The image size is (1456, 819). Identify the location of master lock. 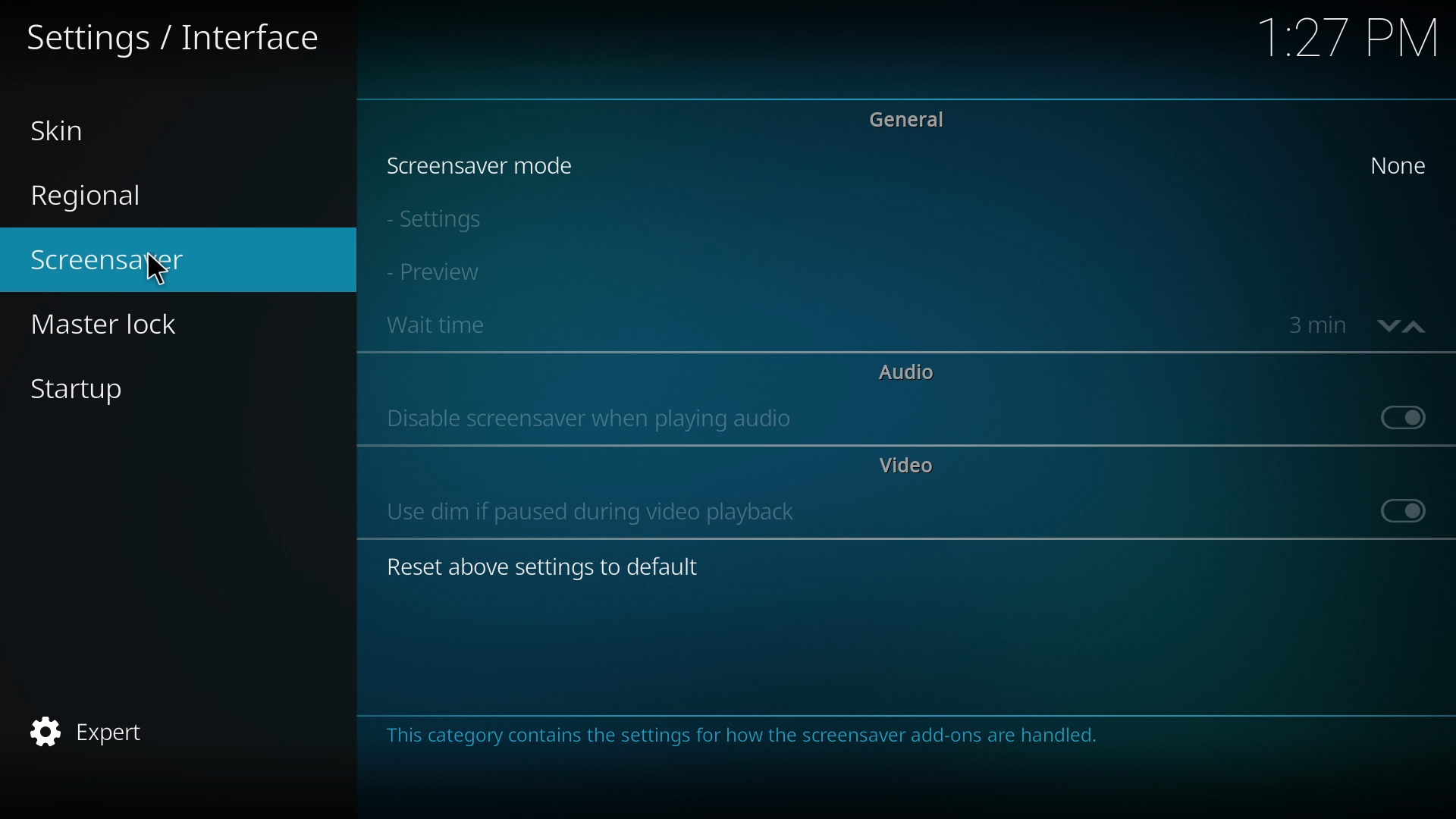
(133, 324).